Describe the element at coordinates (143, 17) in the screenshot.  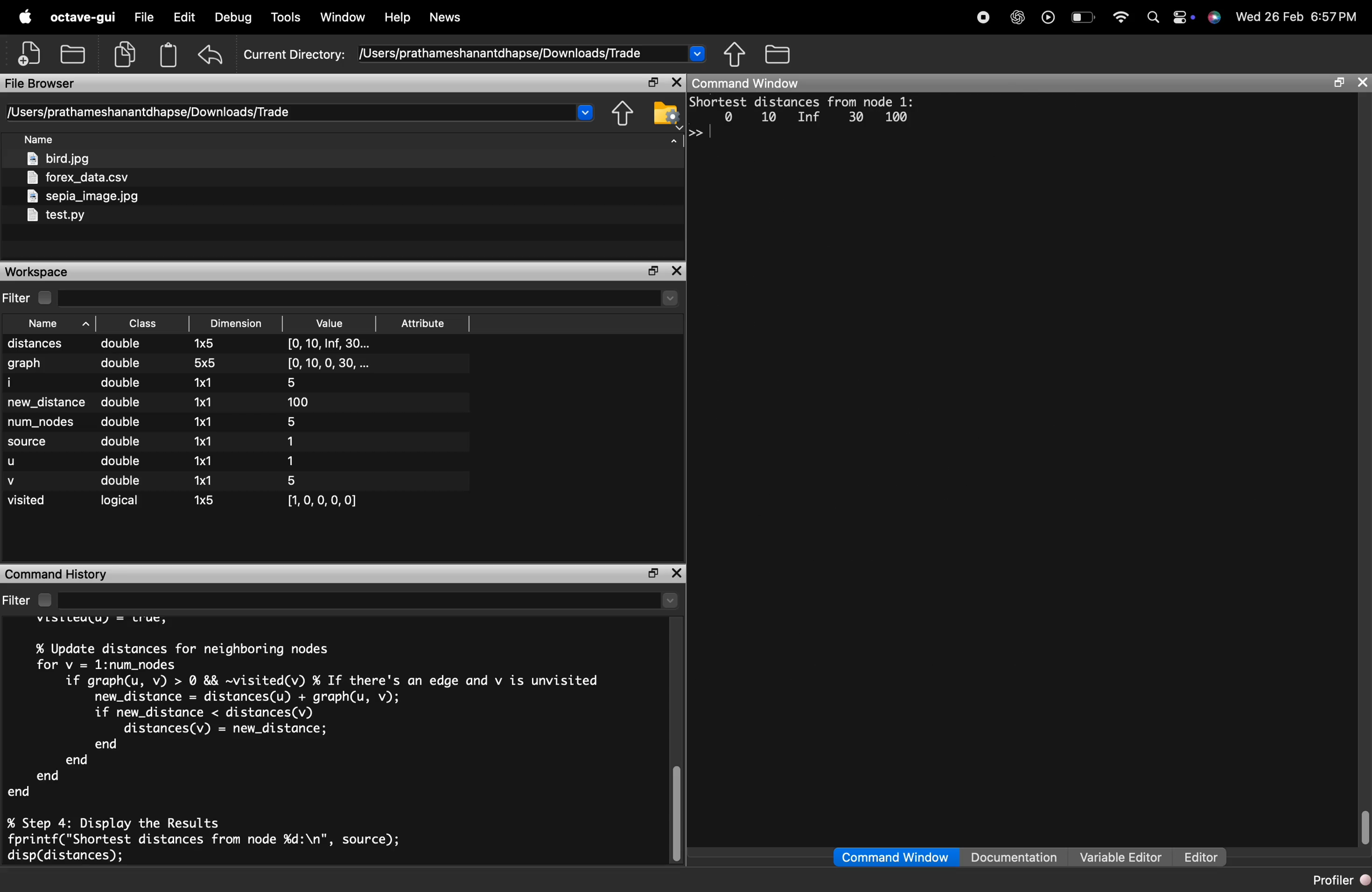
I see `file` at that location.